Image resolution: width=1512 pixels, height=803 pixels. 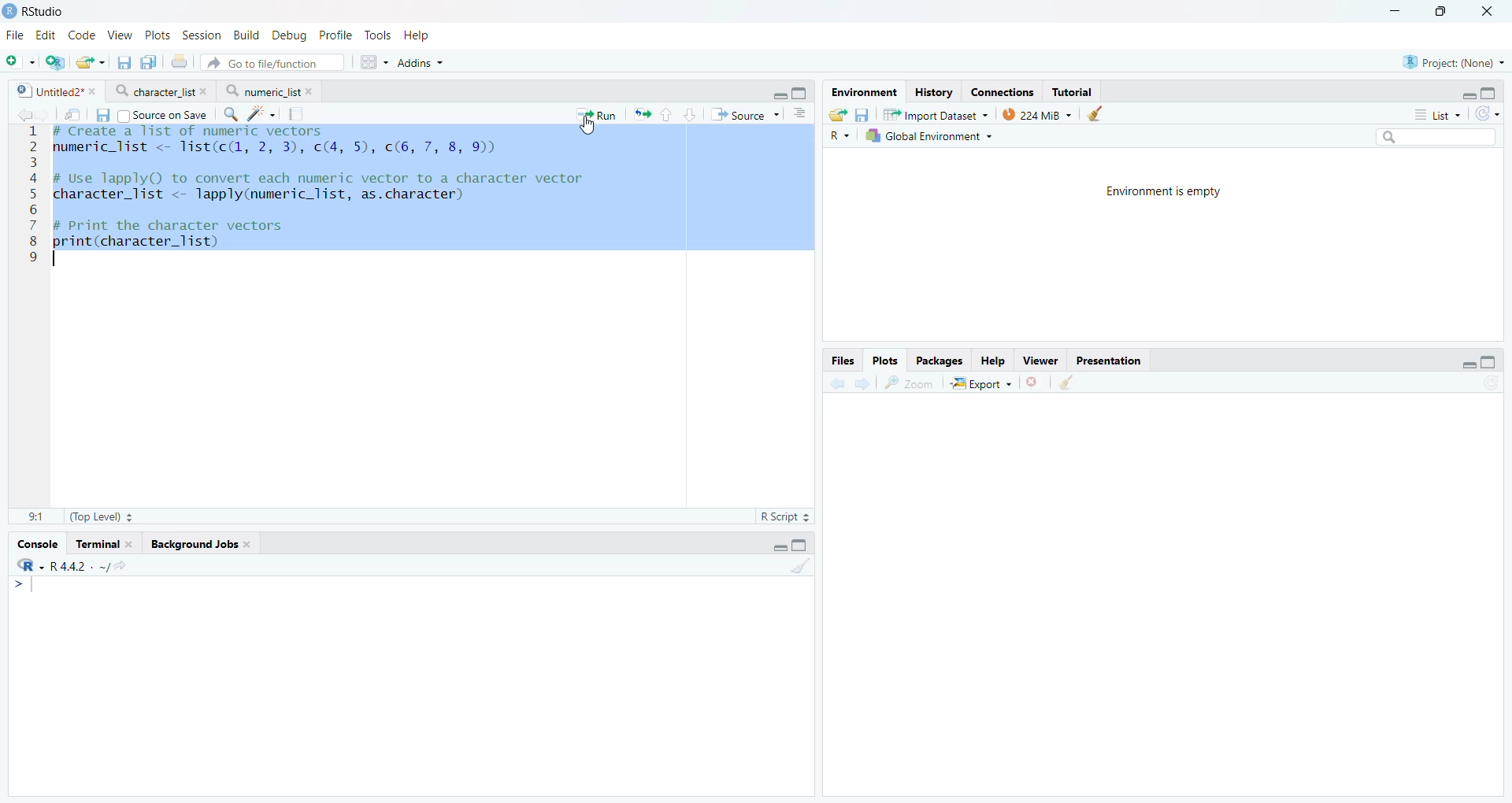 I want to click on Viewer, so click(x=1040, y=360).